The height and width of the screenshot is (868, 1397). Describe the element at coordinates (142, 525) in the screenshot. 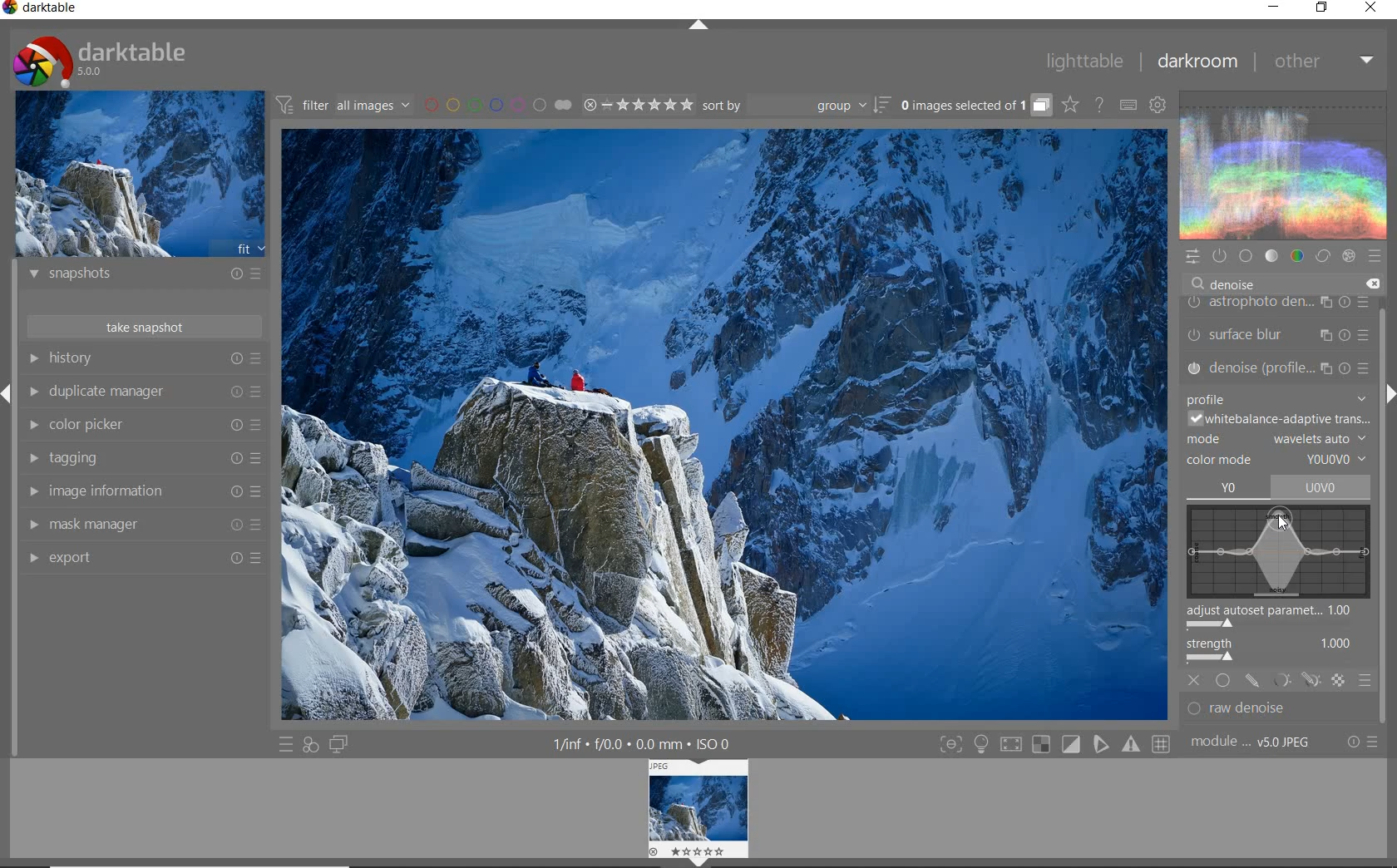

I see `mask manager` at that location.